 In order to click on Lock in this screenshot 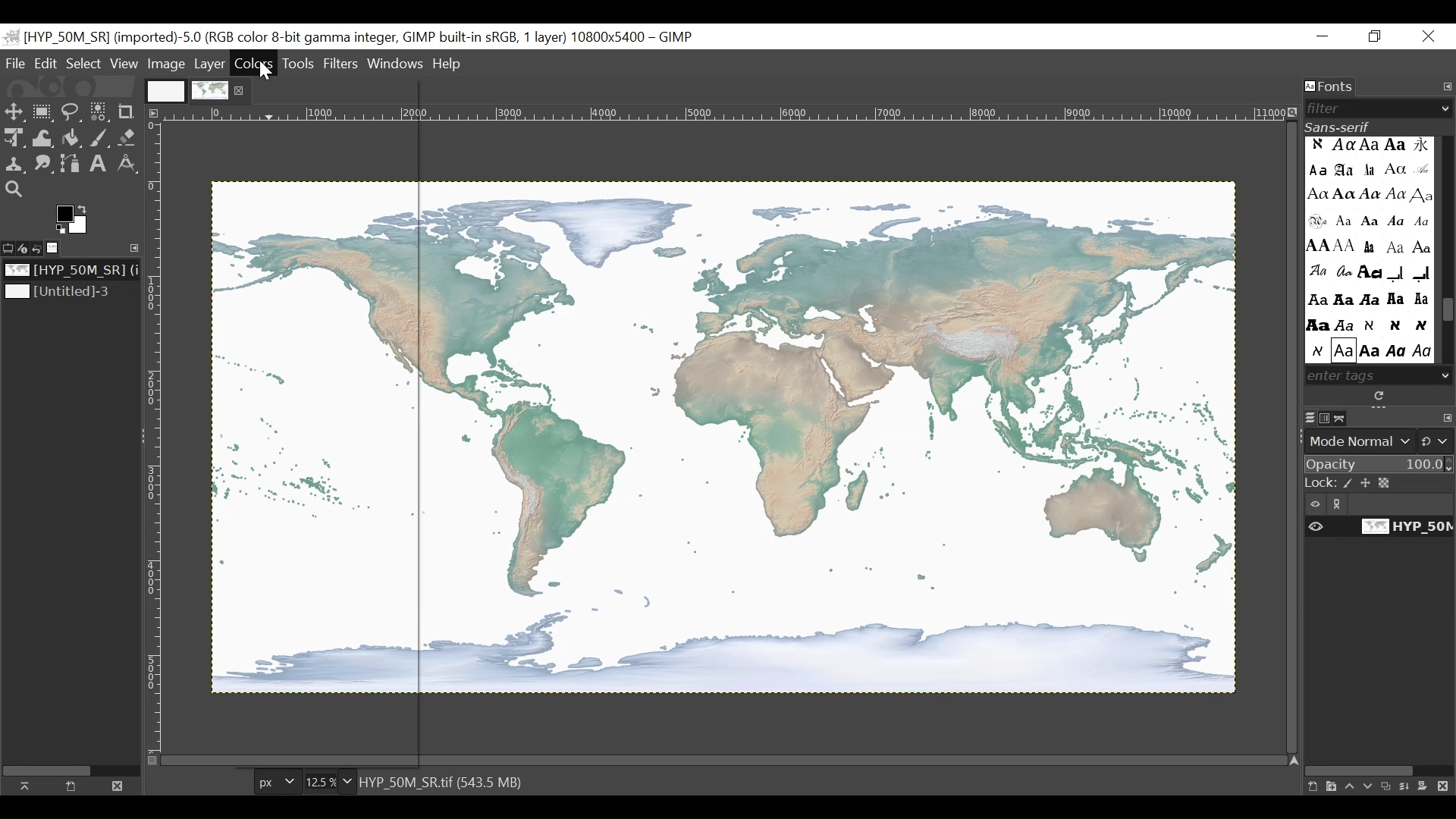, I will do `click(1380, 484)`.